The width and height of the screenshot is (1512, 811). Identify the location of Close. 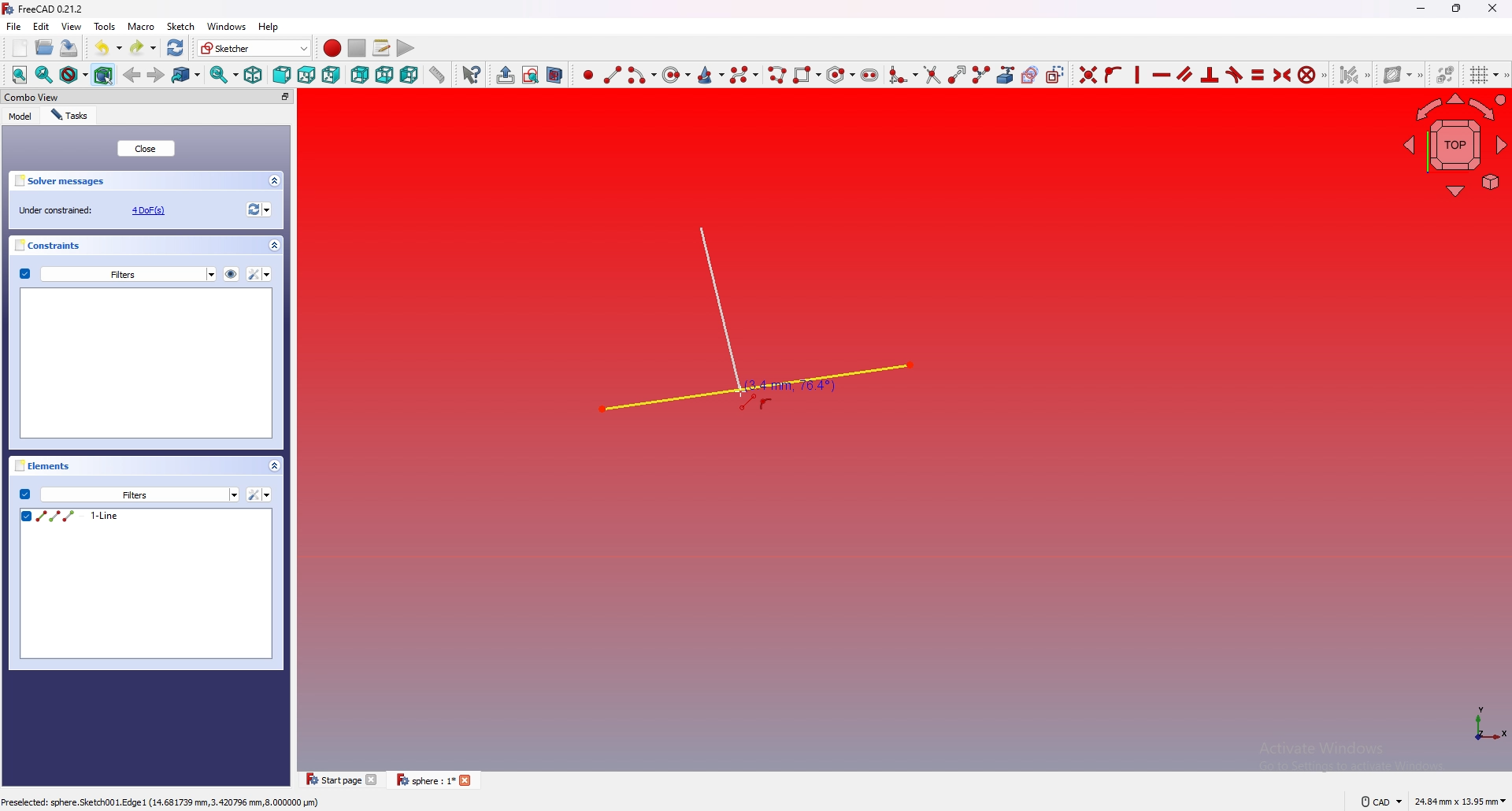
(1492, 8).